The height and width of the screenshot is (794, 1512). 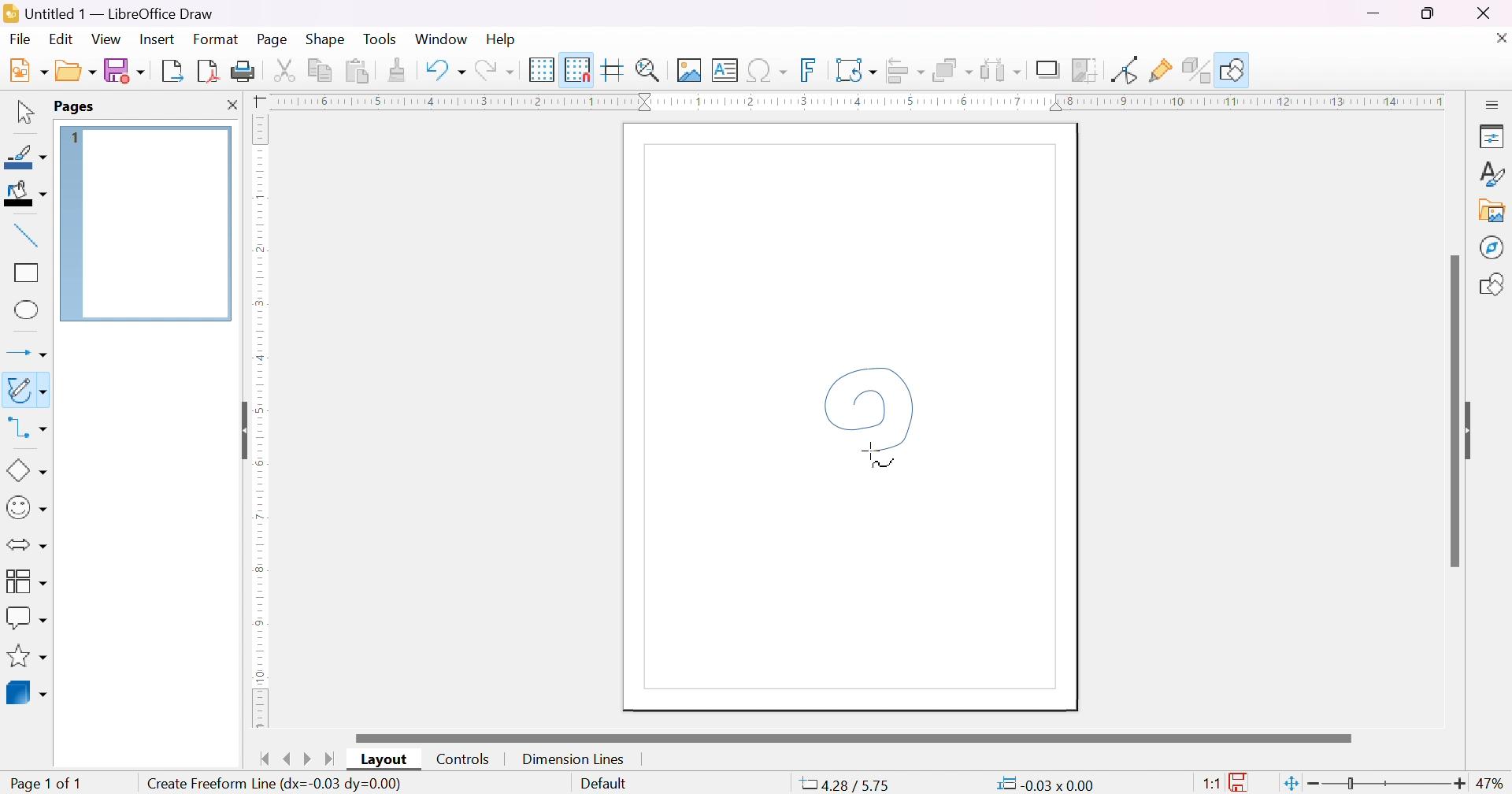 I want to click on lines and arrows, so click(x=29, y=354).